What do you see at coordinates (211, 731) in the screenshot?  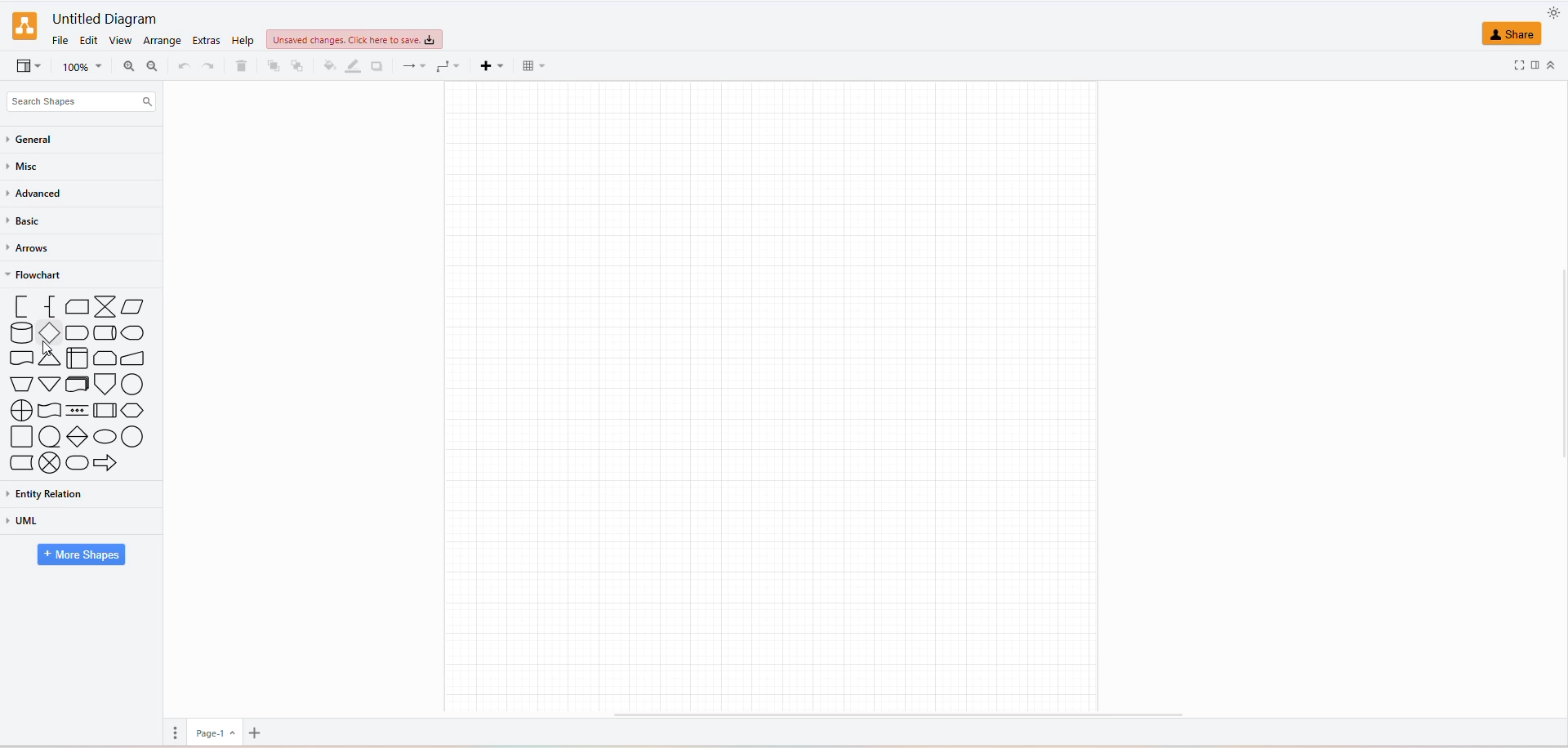 I see `page 1` at bounding box center [211, 731].